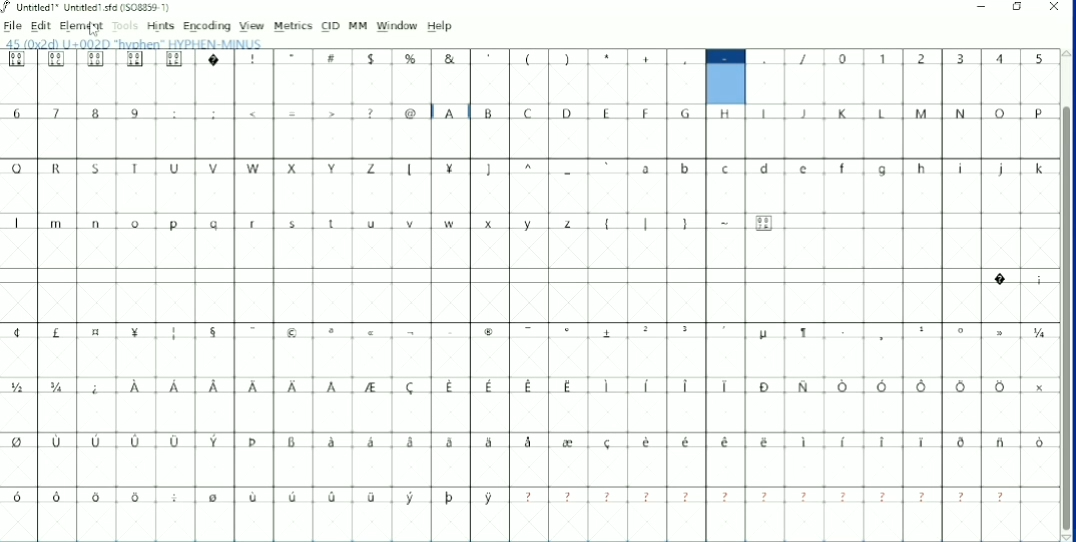  What do you see at coordinates (292, 26) in the screenshot?
I see `Metrics` at bounding box center [292, 26].